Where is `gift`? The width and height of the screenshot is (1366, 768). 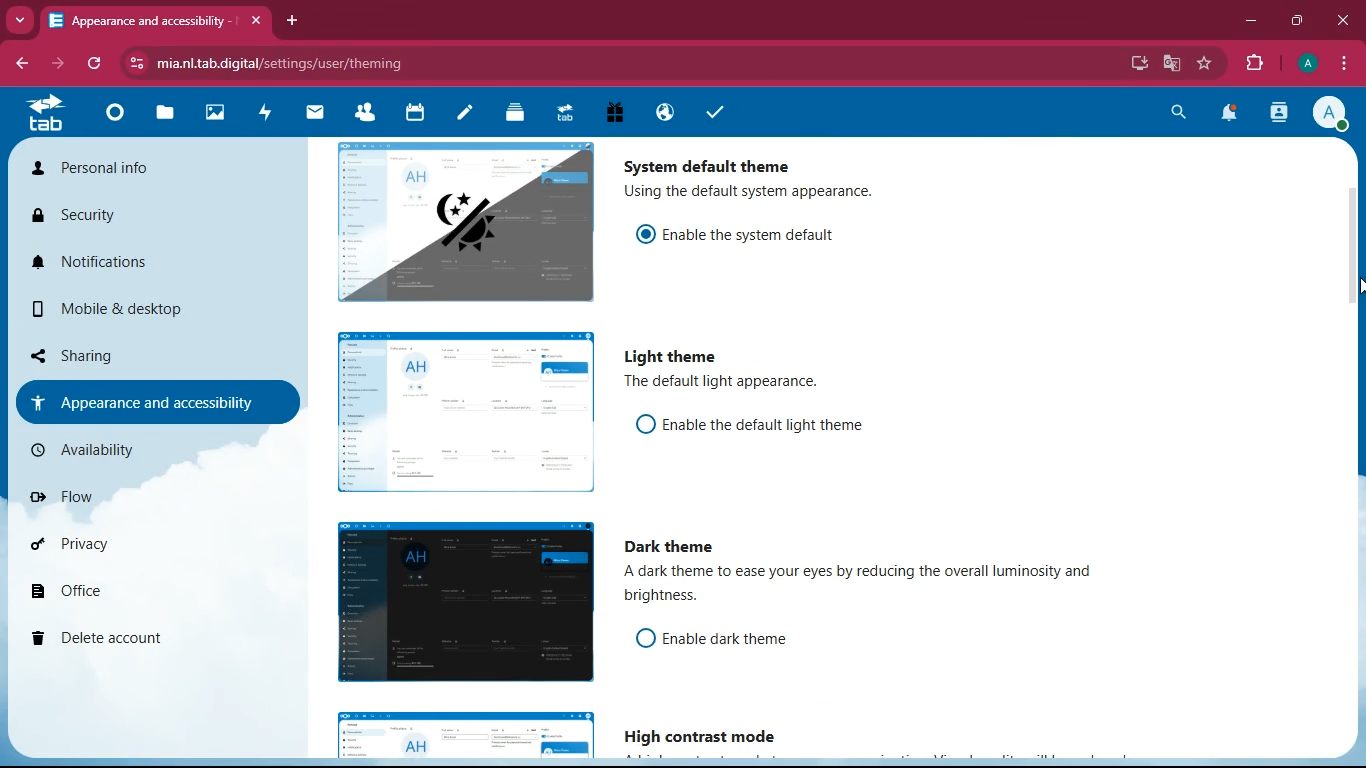
gift is located at coordinates (614, 112).